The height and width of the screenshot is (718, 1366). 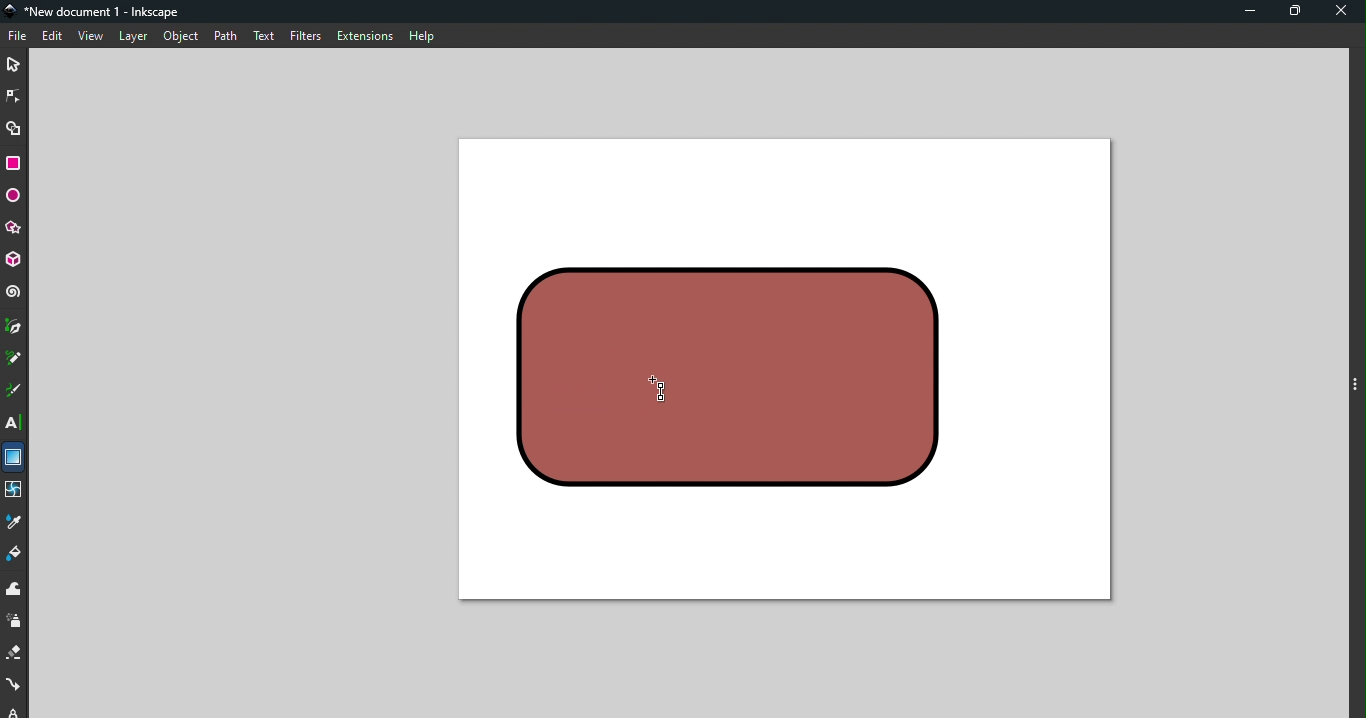 I want to click on Filters, so click(x=304, y=35).